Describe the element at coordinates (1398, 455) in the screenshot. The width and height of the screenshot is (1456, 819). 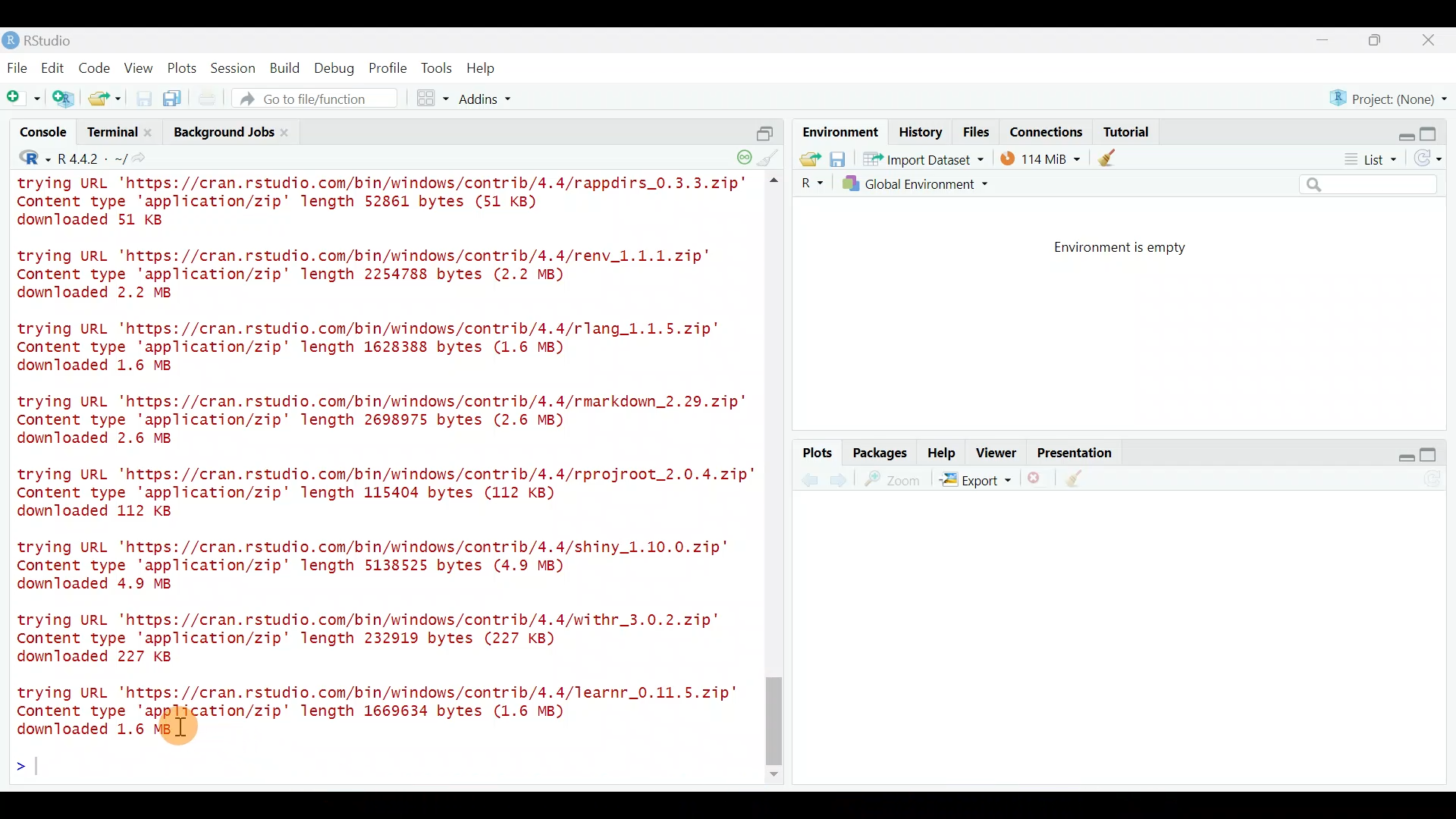
I see `Restore down` at that location.